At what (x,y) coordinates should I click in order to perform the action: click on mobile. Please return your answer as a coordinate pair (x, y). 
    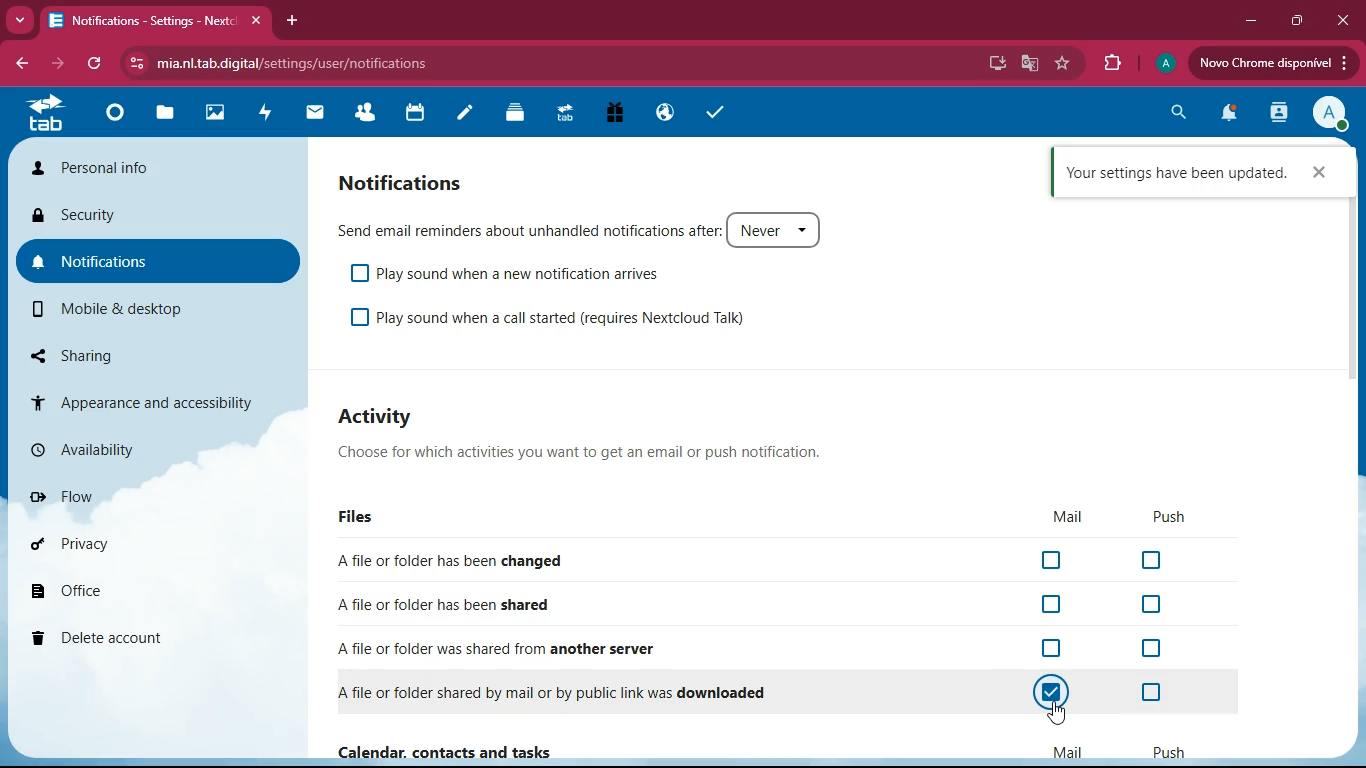
    Looking at the image, I should click on (138, 307).